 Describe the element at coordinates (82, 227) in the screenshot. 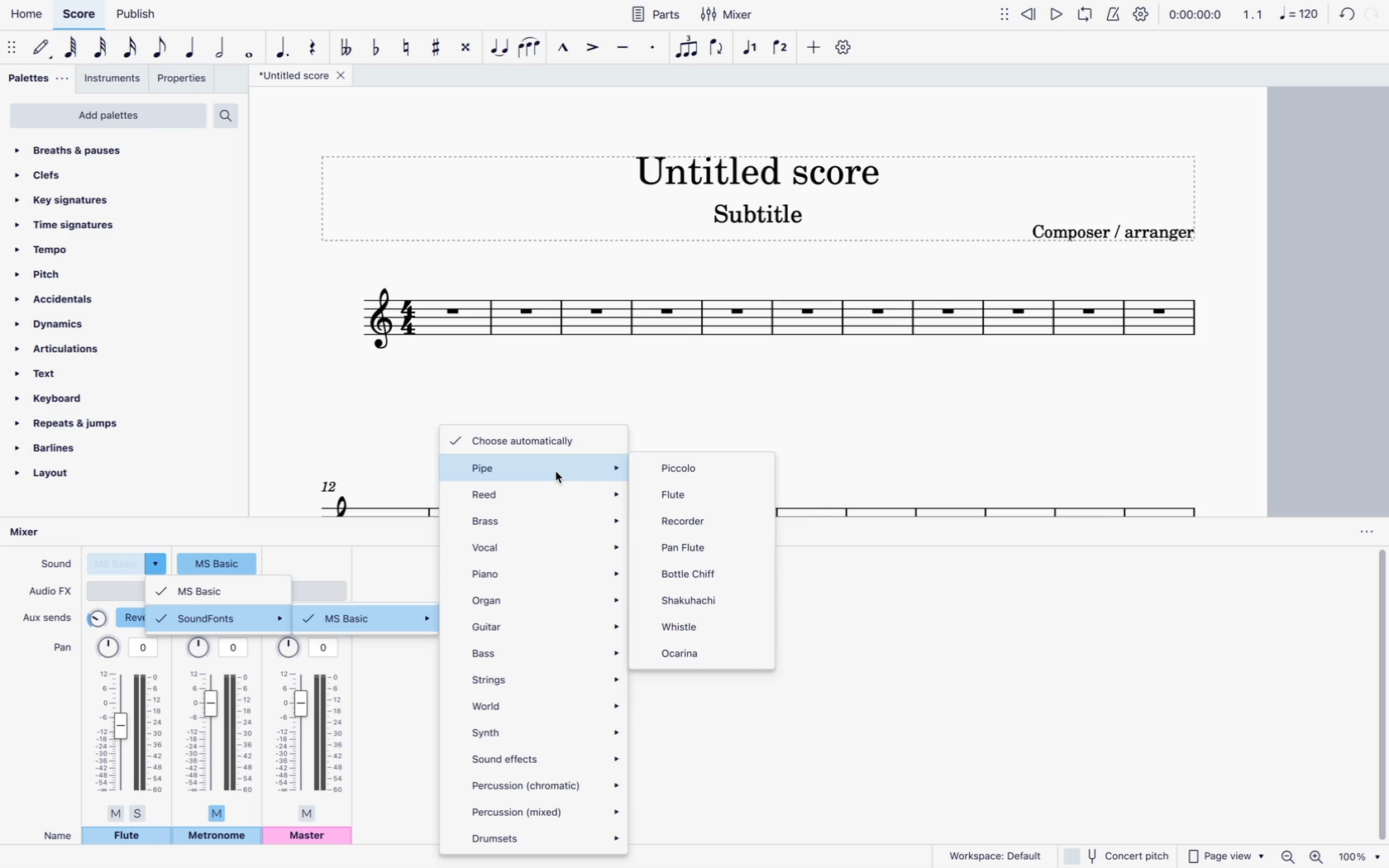

I see `time signatures` at that location.